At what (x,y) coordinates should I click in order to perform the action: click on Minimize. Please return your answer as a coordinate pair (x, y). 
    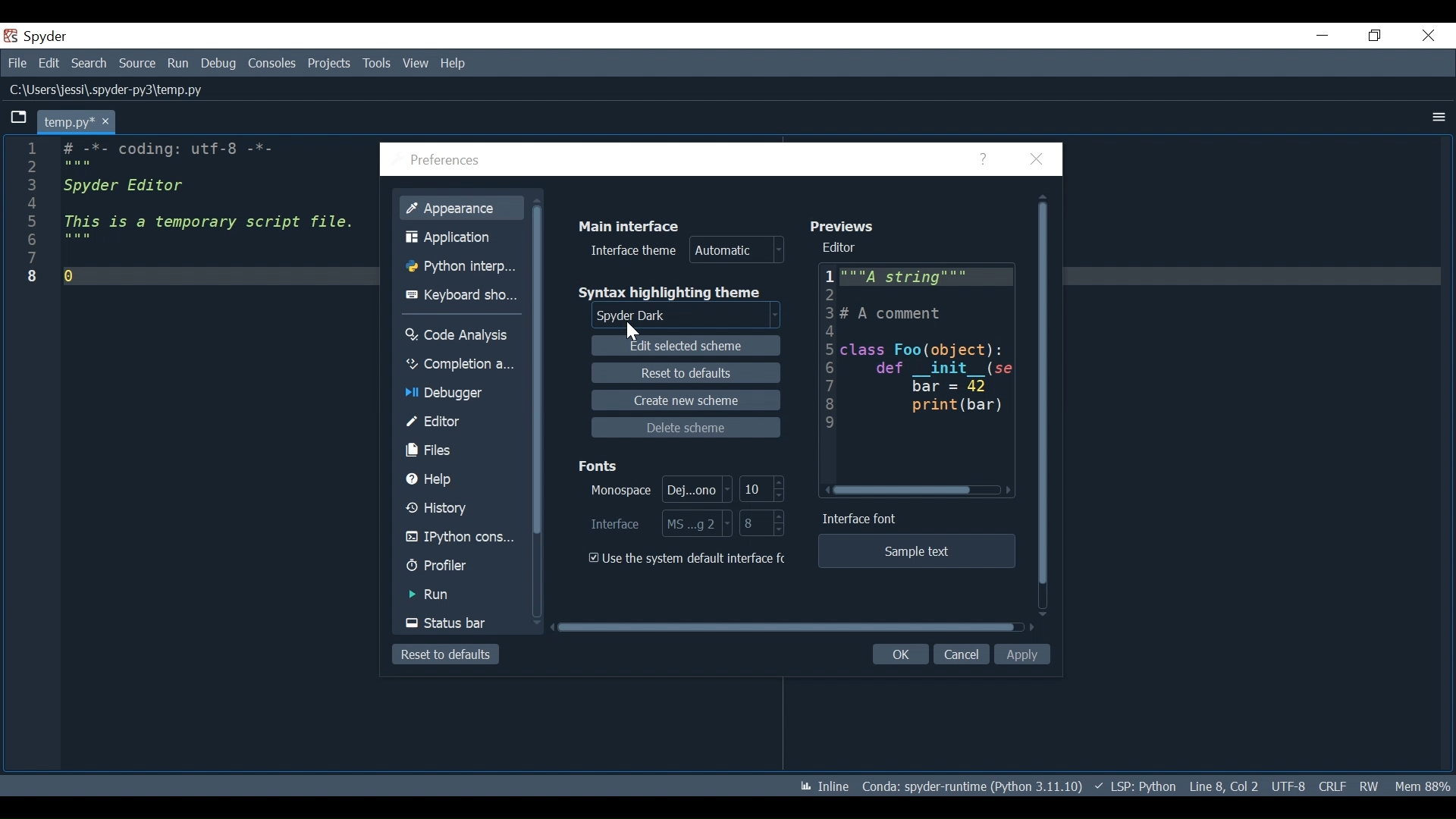
    Looking at the image, I should click on (1323, 36).